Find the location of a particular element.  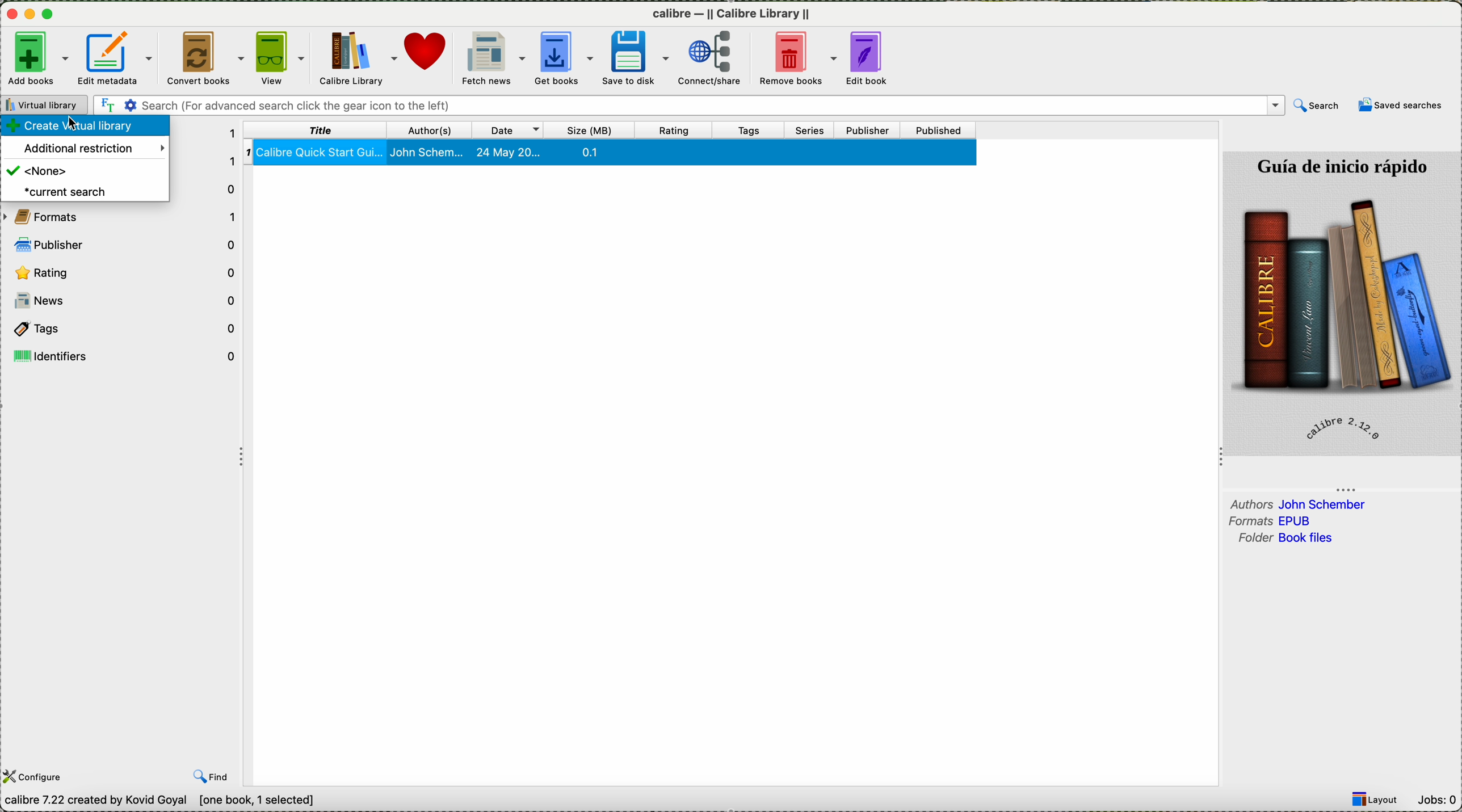

rating is located at coordinates (124, 272).